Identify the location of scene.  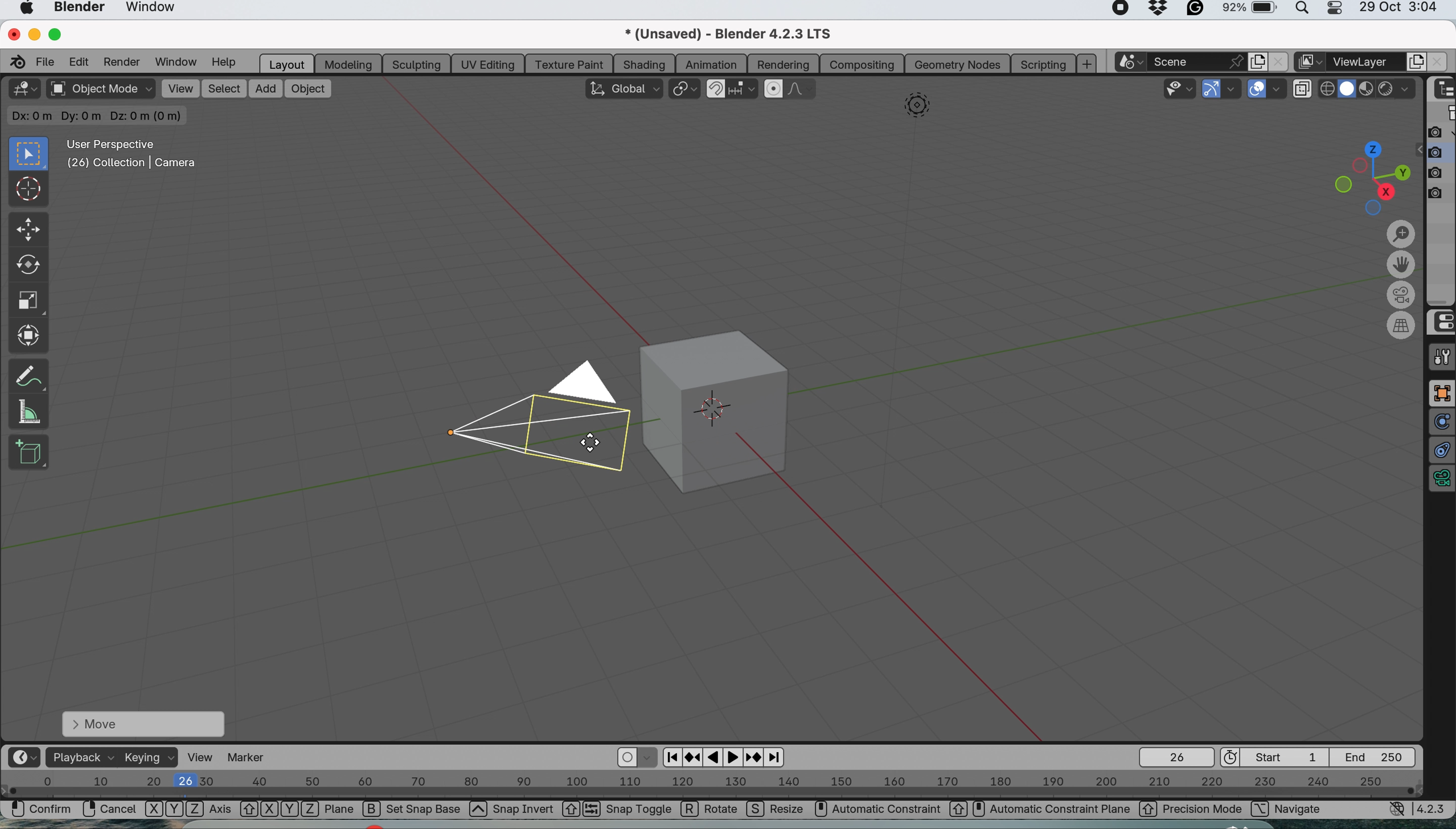
(1200, 61).